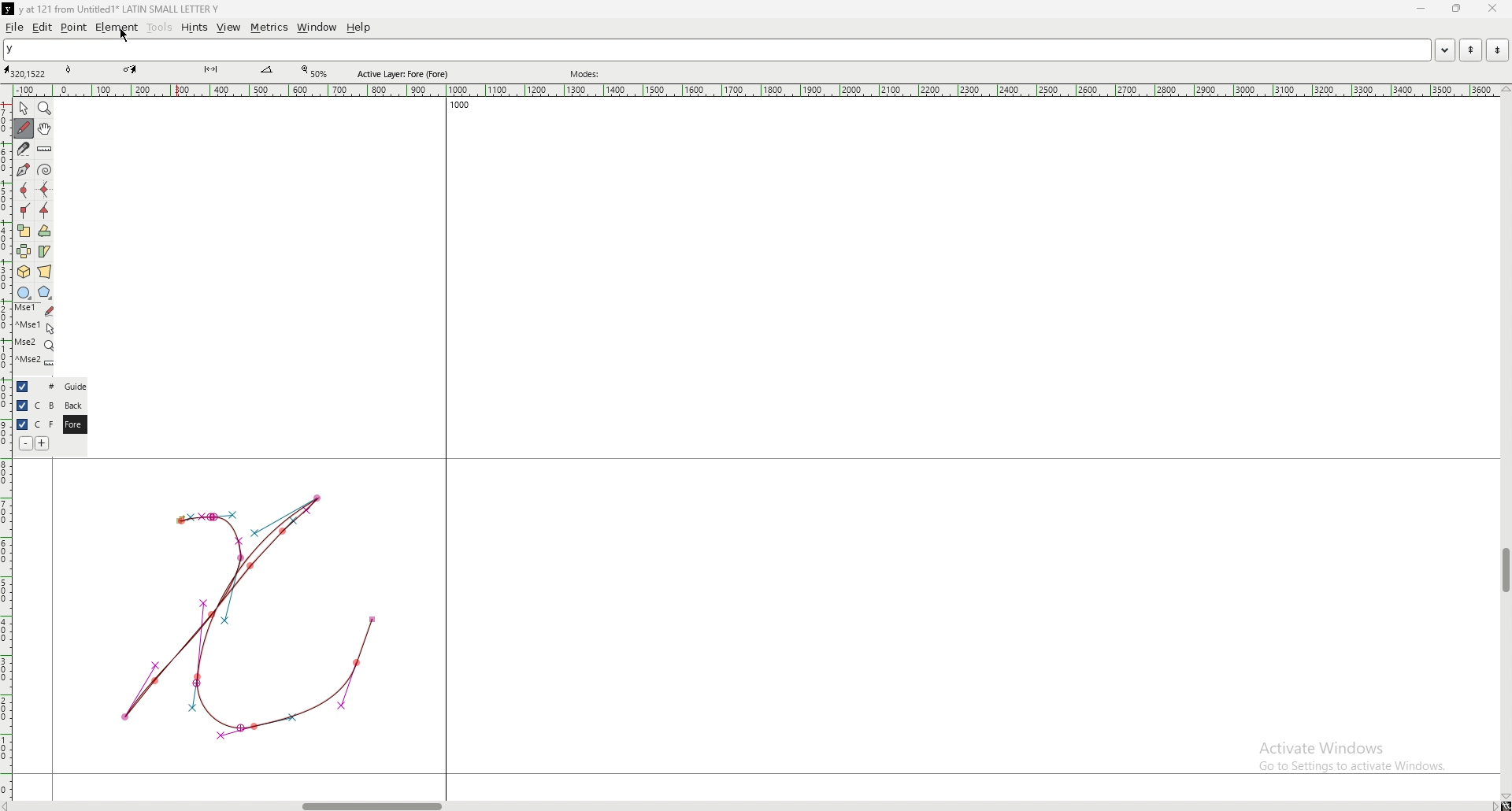  I want to click on help, so click(358, 28).